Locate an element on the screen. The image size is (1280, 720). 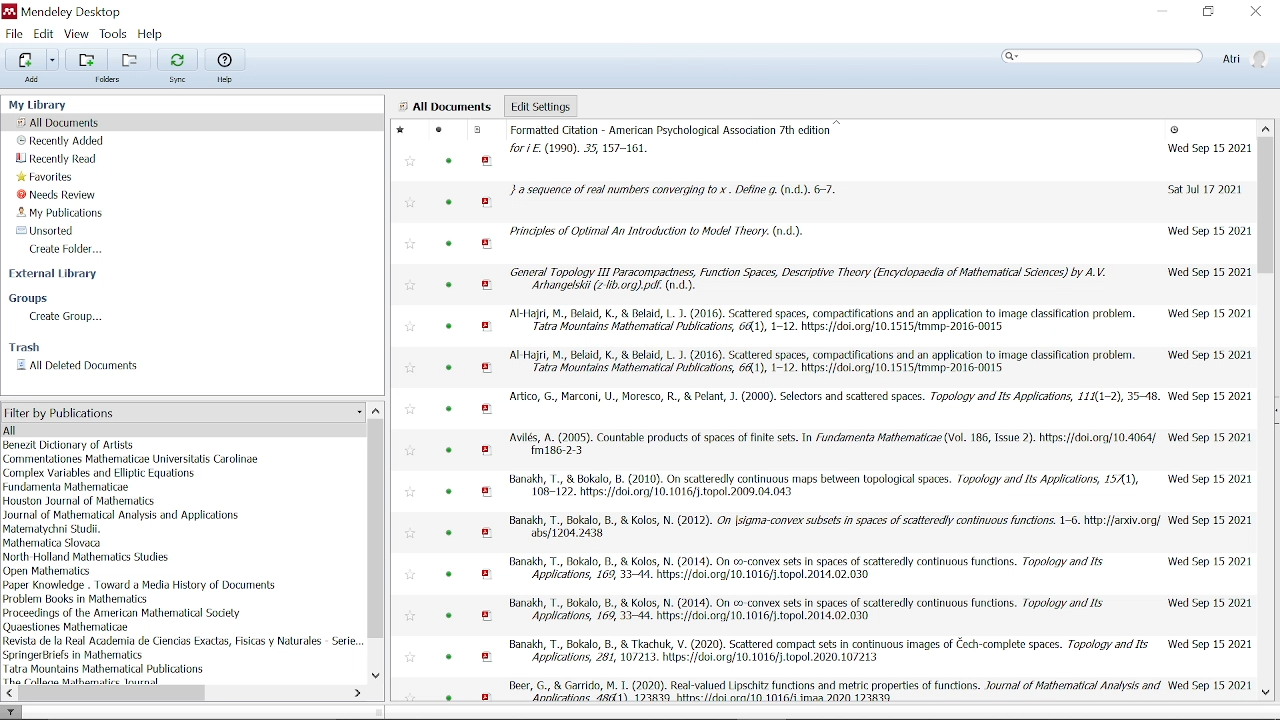
Vertical scrollbar in filter by publication is located at coordinates (377, 530).